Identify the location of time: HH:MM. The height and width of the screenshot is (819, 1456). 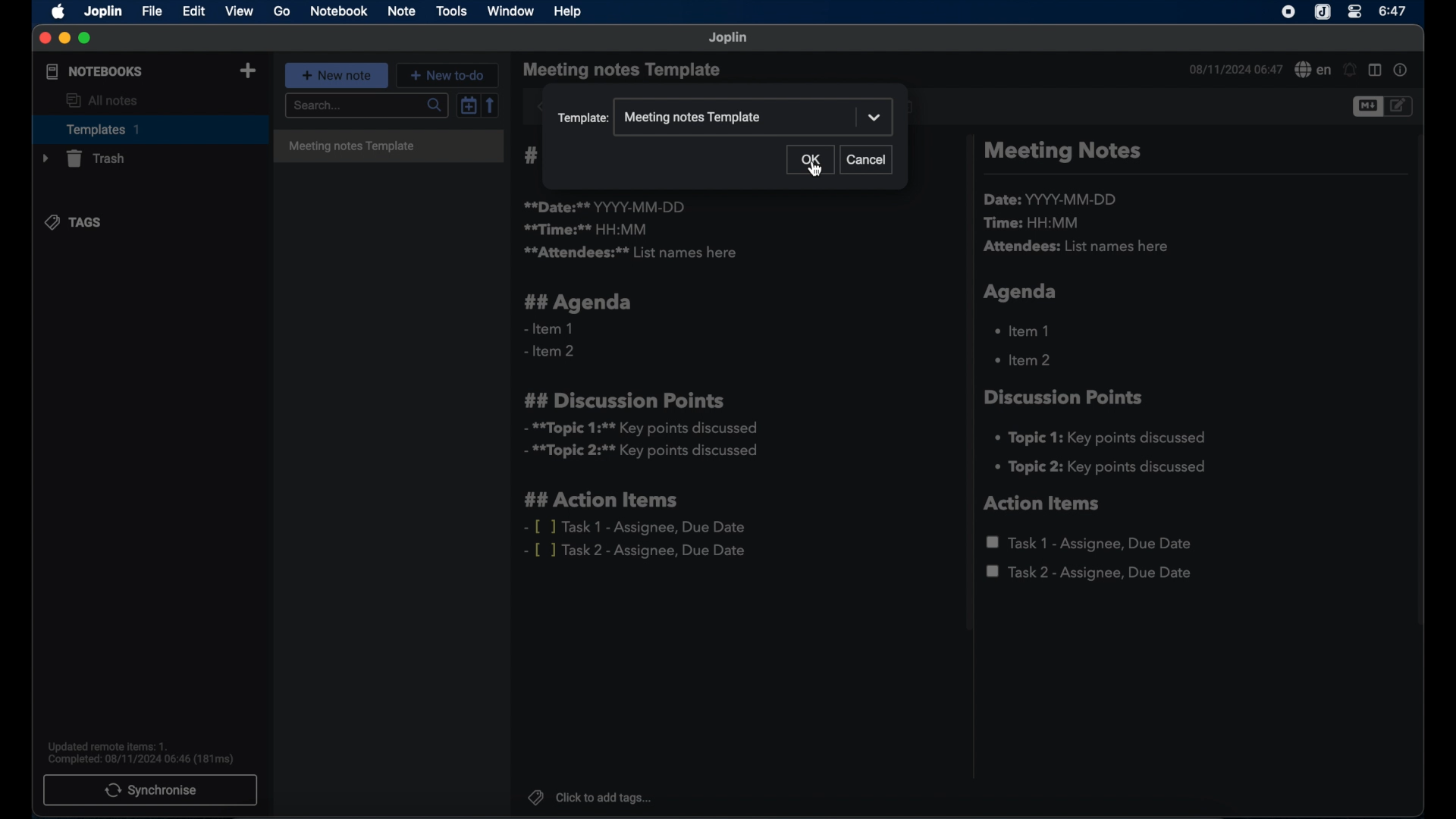
(1035, 224).